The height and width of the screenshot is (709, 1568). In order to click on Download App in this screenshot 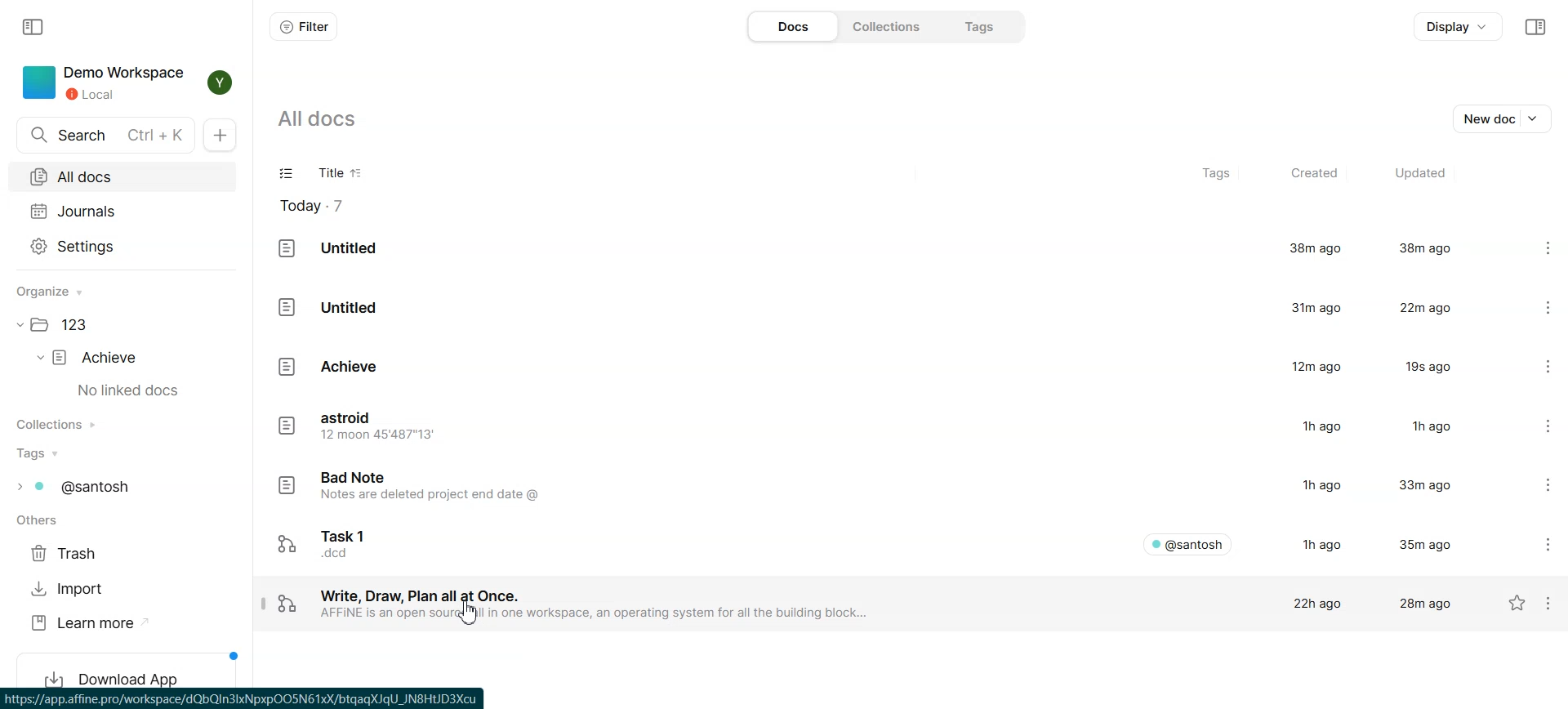, I will do `click(131, 667)`.